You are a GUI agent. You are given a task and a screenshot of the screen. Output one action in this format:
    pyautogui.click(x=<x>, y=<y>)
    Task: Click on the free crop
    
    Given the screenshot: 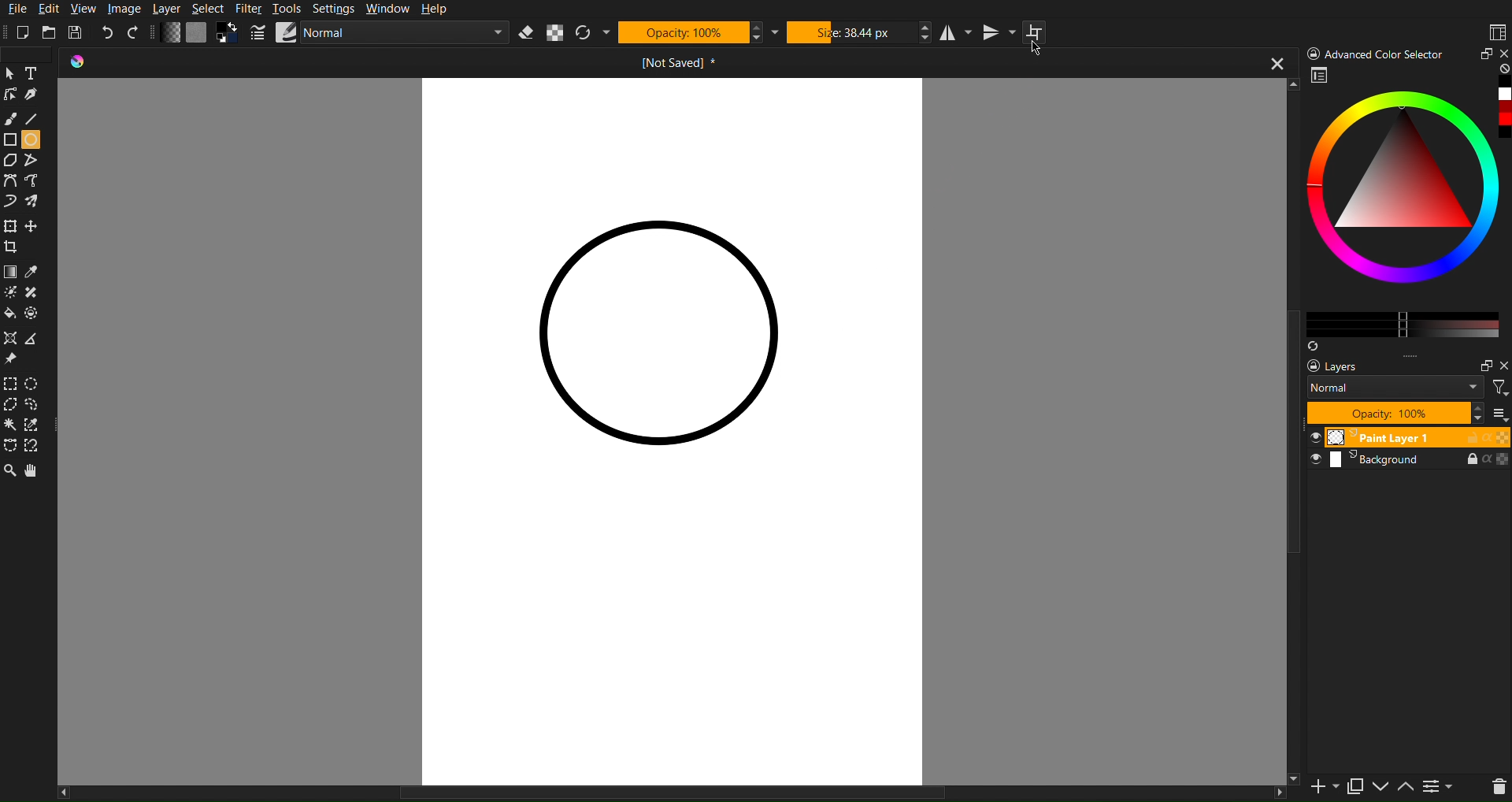 What is the action you would take?
    pyautogui.click(x=34, y=229)
    